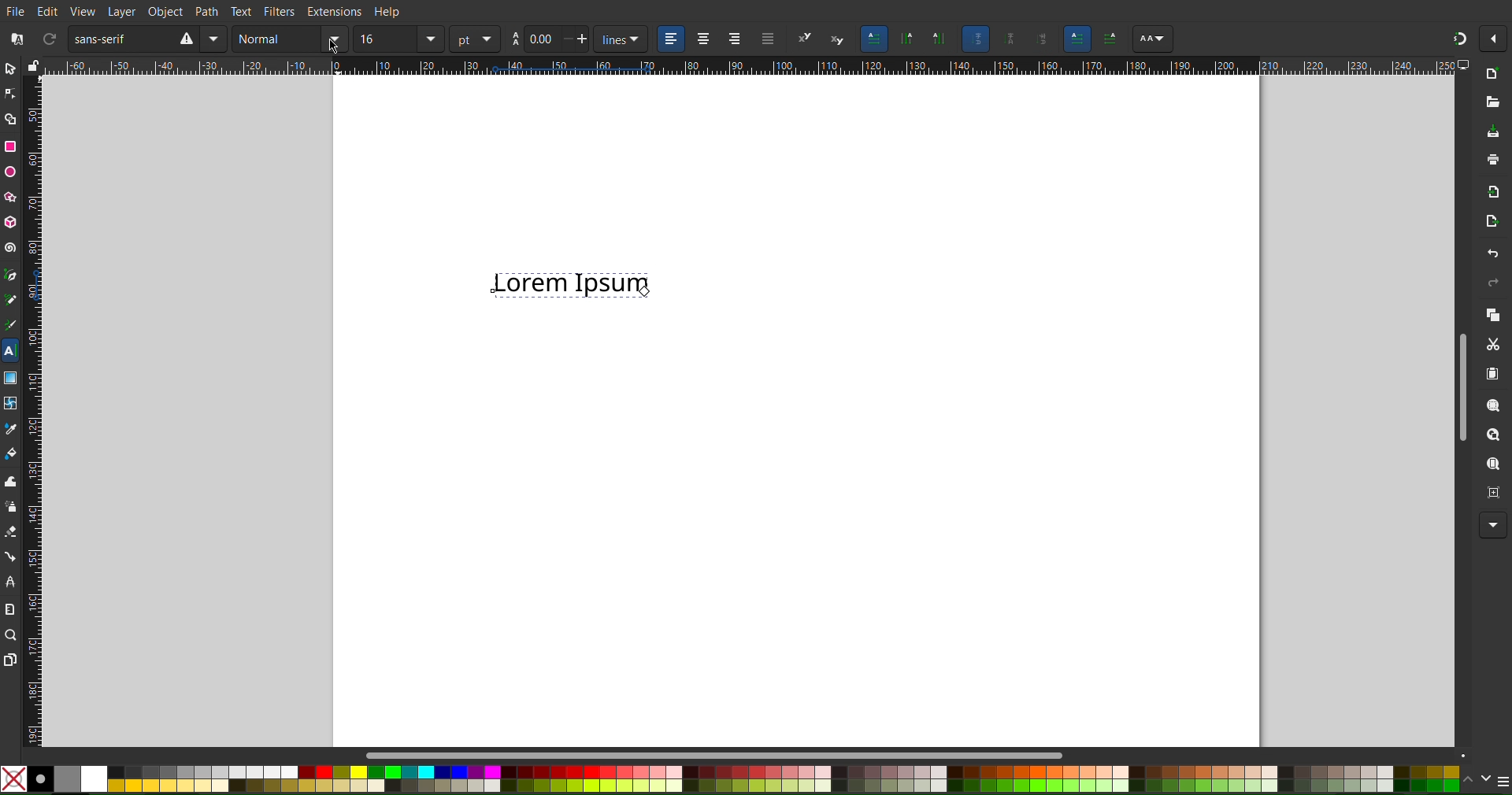 This screenshot has width=1512, height=795. Describe the element at coordinates (11, 248) in the screenshot. I see `Spiral` at that location.